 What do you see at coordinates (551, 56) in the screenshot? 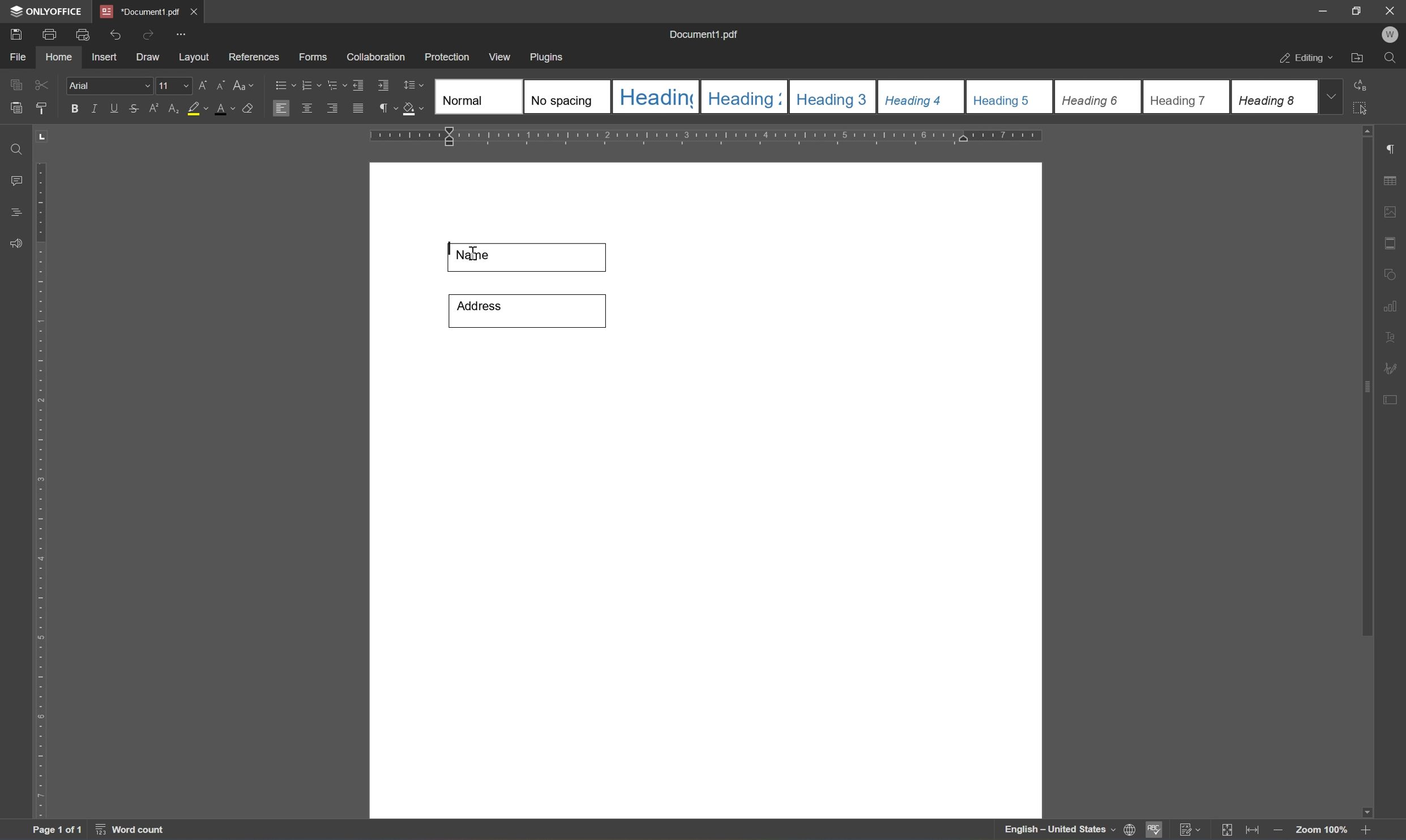
I see `plugins` at bounding box center [551, 56].